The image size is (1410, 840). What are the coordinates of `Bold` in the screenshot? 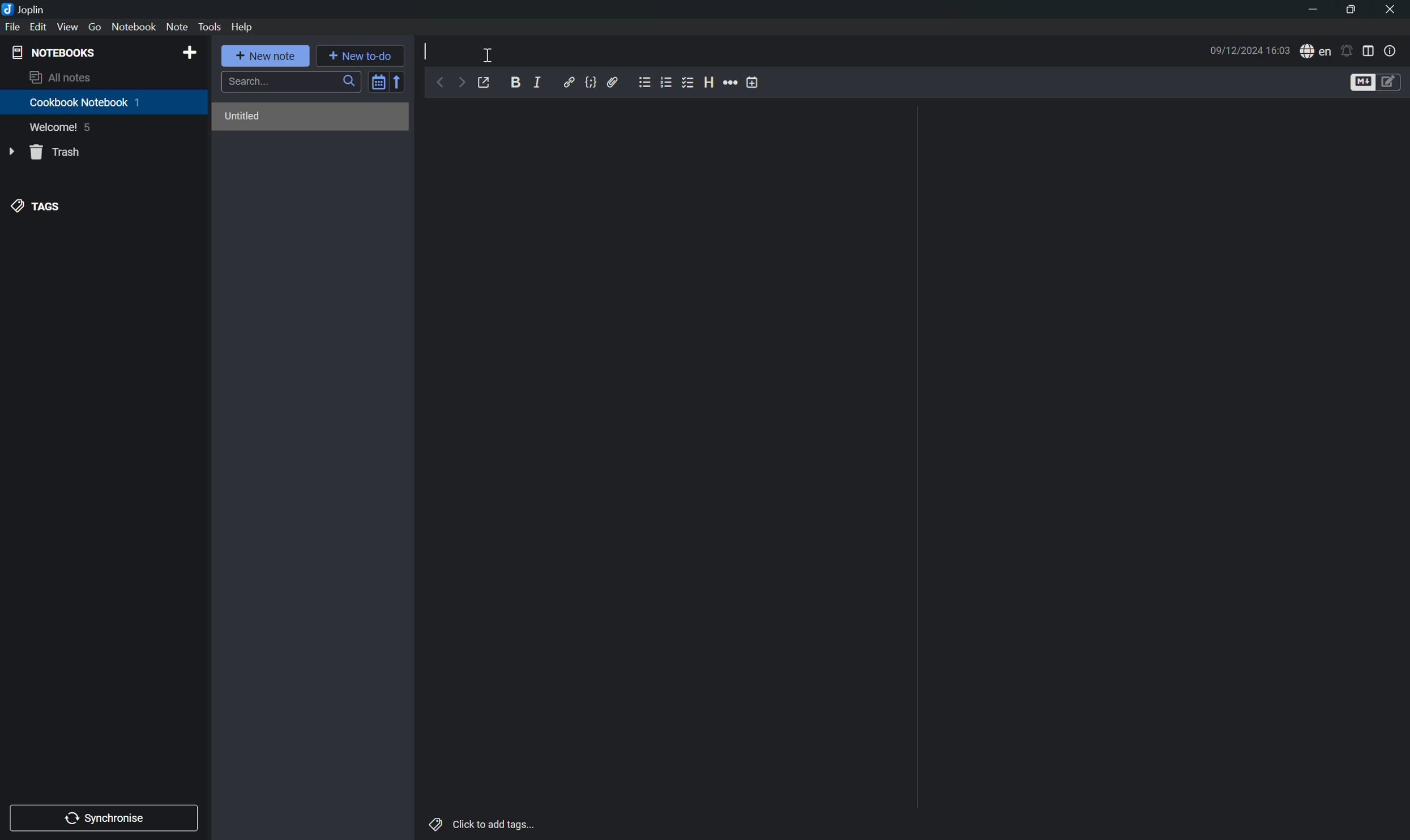 It's located at (518, 80).